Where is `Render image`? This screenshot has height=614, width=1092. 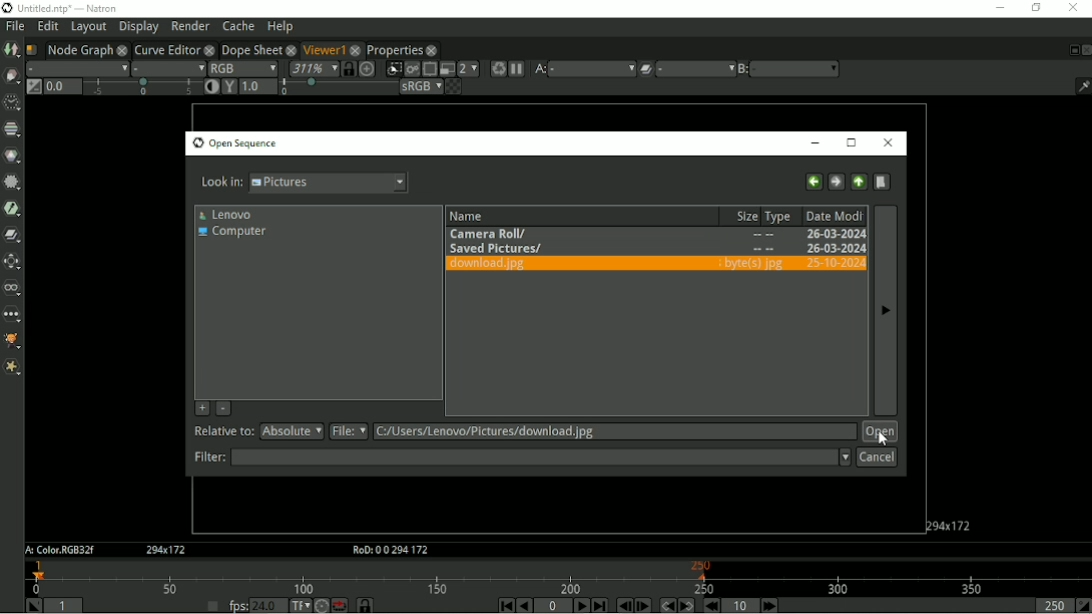 Render image is located at coordinates (411, 69).